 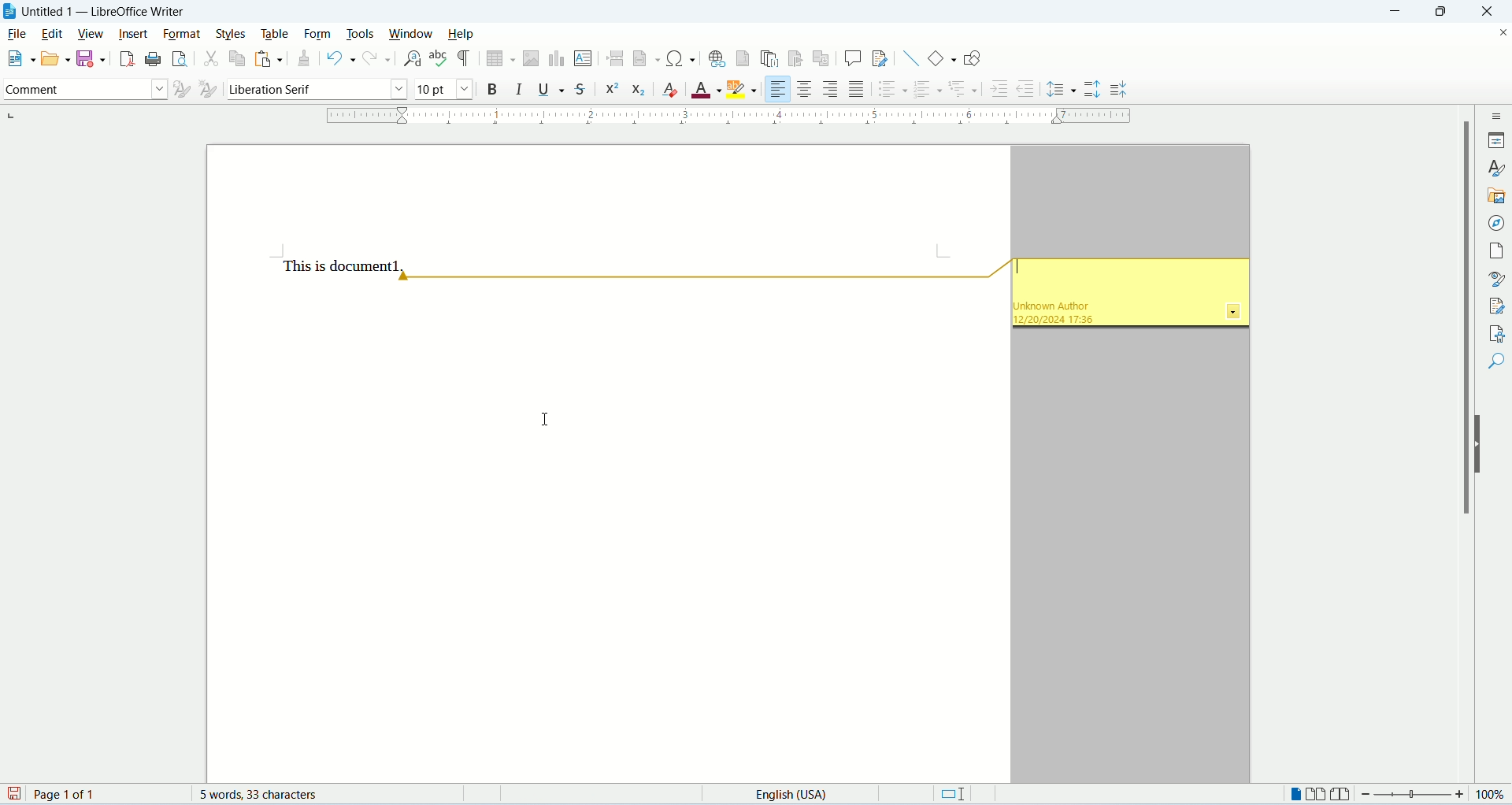 I want to click on styles, so click(x=233, y=34).